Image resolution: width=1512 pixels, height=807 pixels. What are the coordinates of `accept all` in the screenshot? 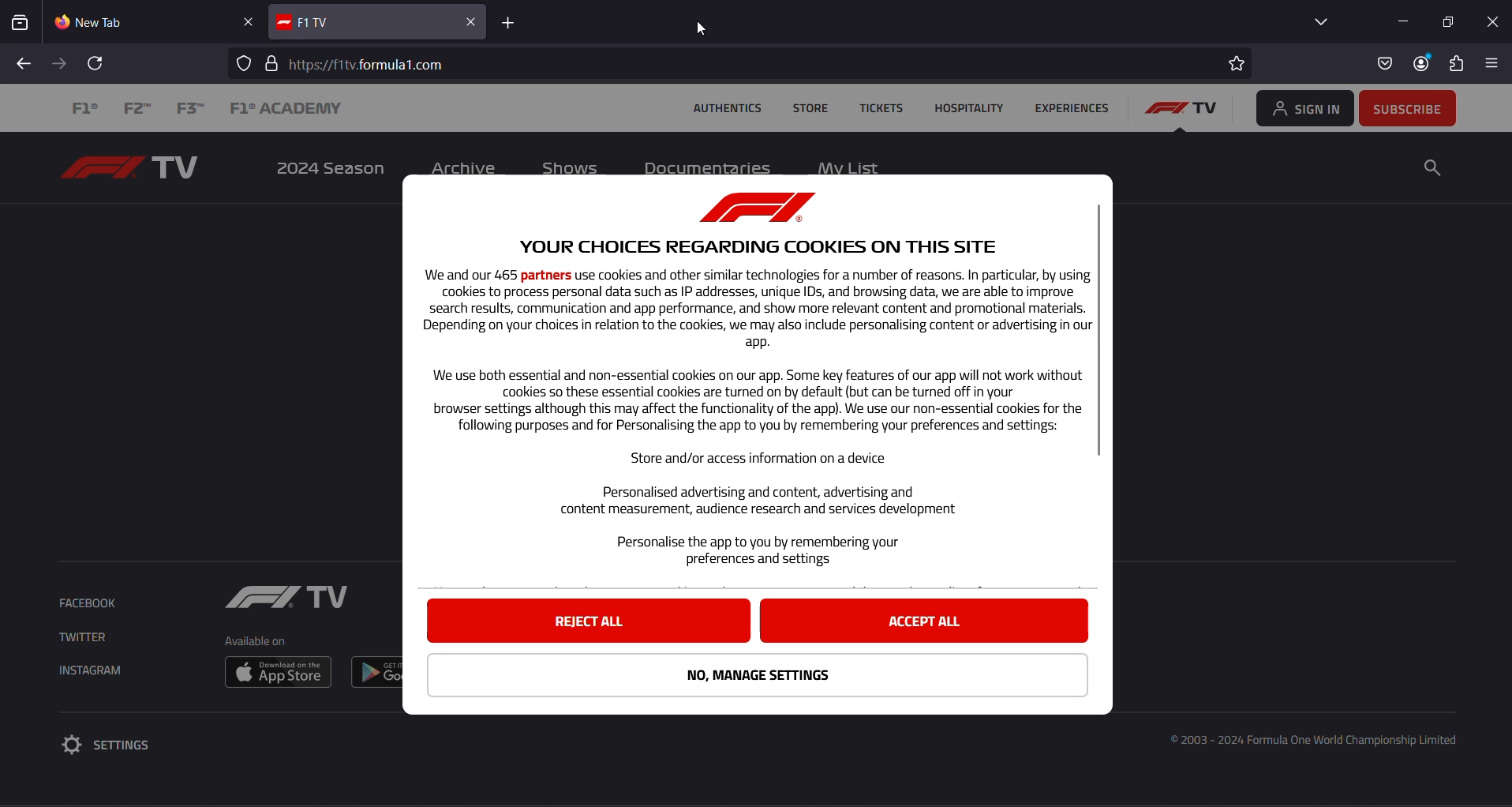 It's located at (923, 620).